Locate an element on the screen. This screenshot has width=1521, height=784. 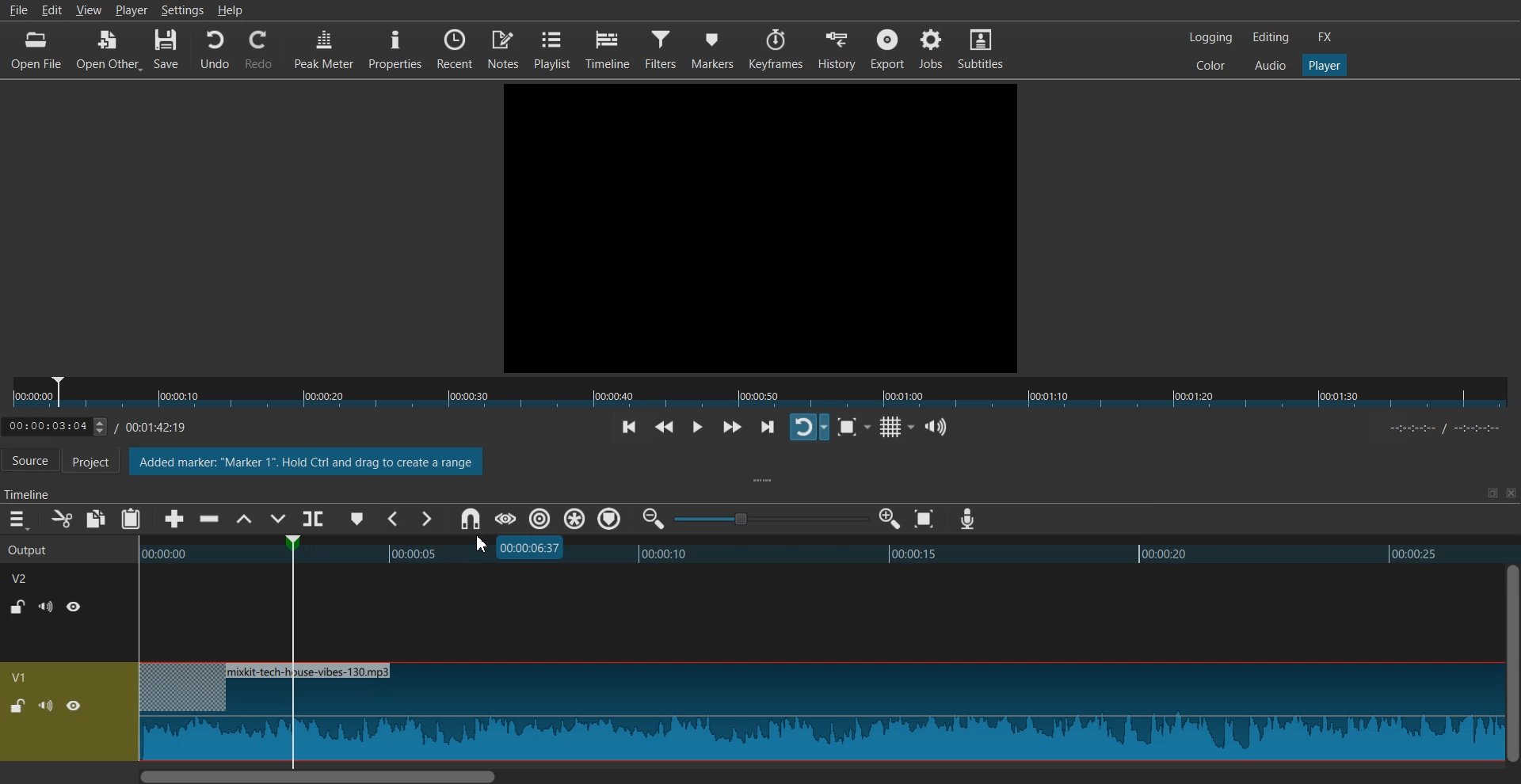
Show the volume control is located at coordinates (936, 428).